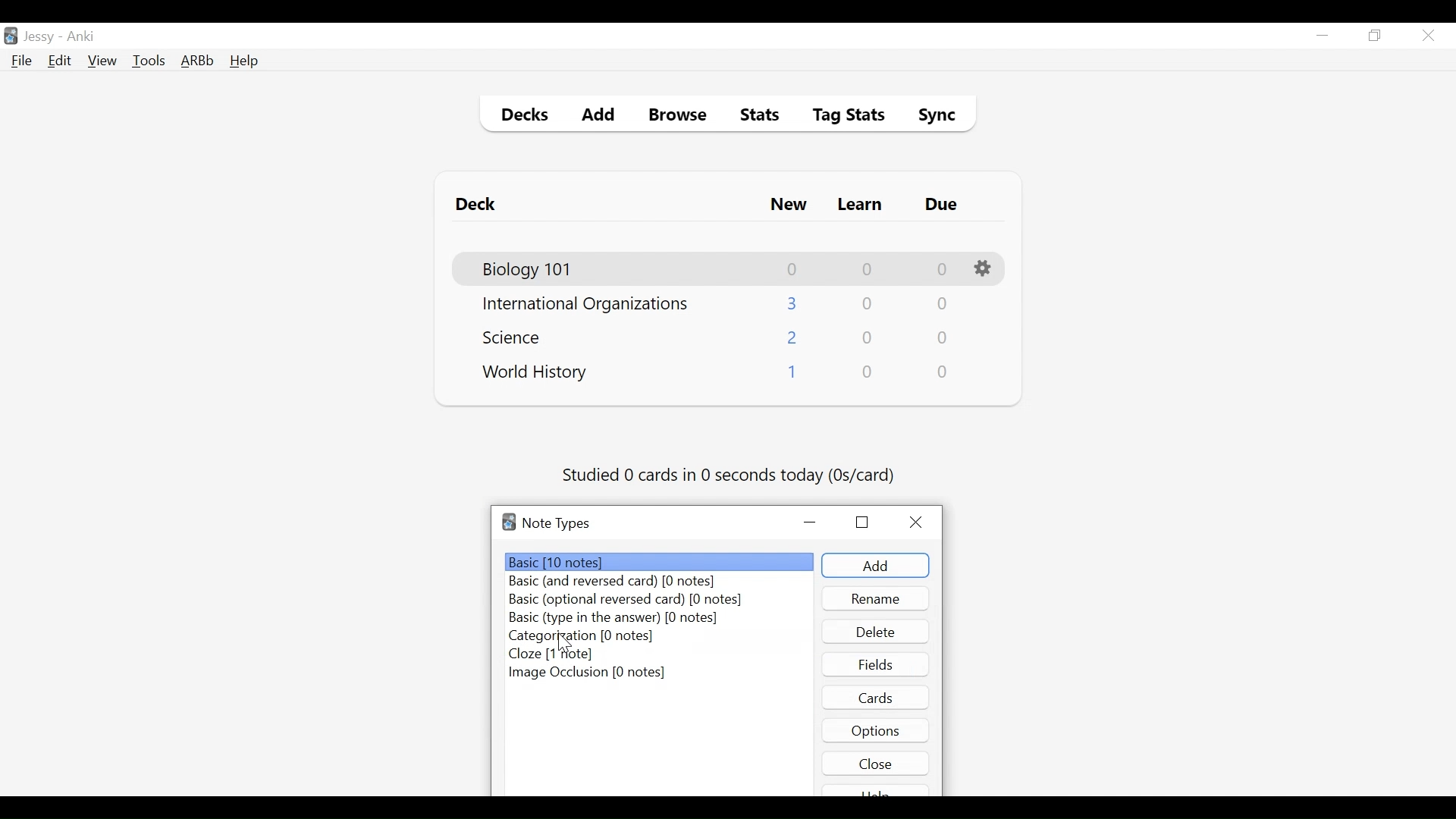 Image resolution: width=1456 pixels, height=819 pixels. What do you see at coordinates (920, 522) in the screenshot?
I see `Close` at bounding box center [920, 522].